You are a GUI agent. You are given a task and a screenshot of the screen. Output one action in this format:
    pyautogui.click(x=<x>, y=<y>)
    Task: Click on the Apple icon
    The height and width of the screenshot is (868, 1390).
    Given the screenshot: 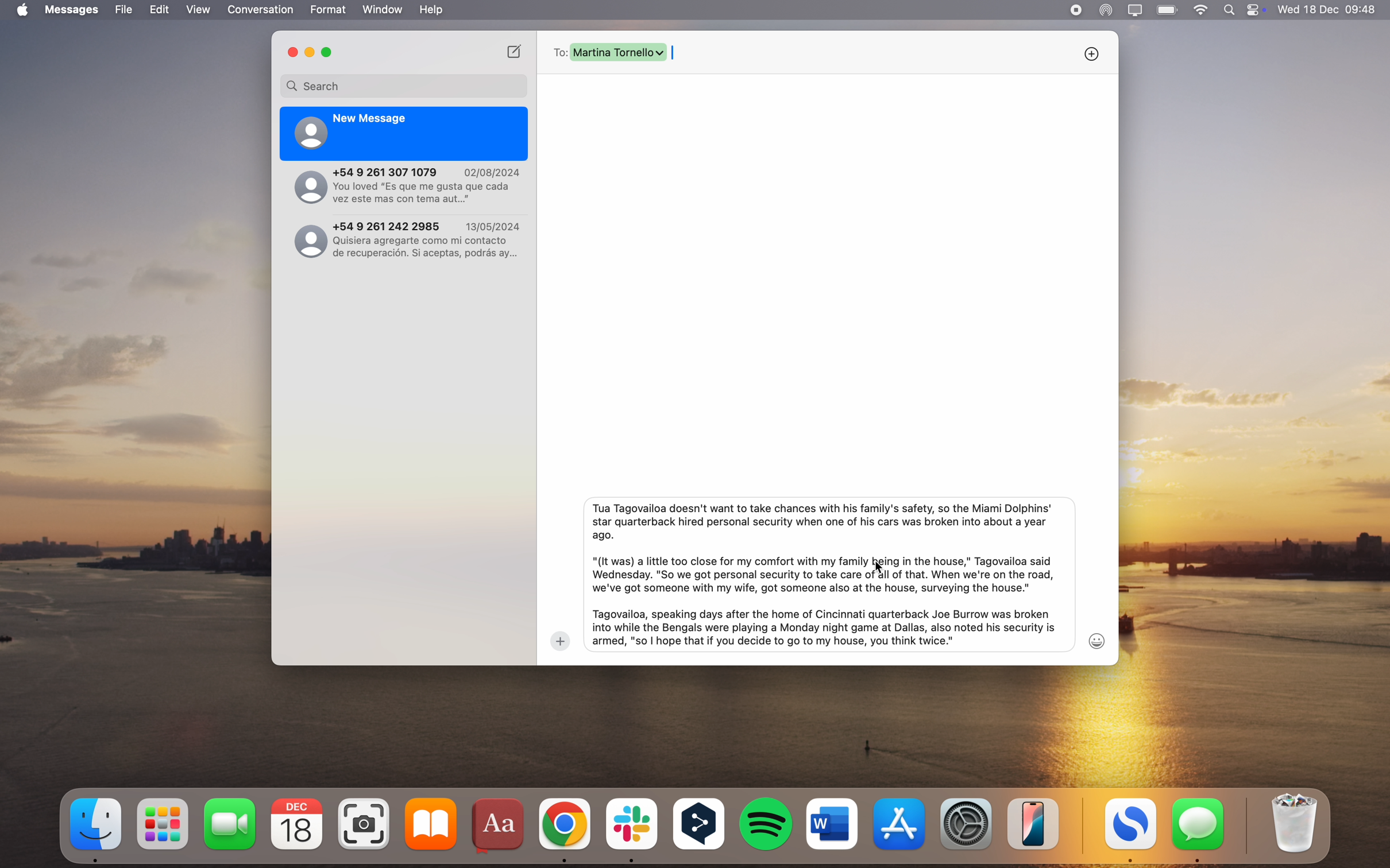 What is the action you would take?
    pyautogui.click(x=20, y=10)
    